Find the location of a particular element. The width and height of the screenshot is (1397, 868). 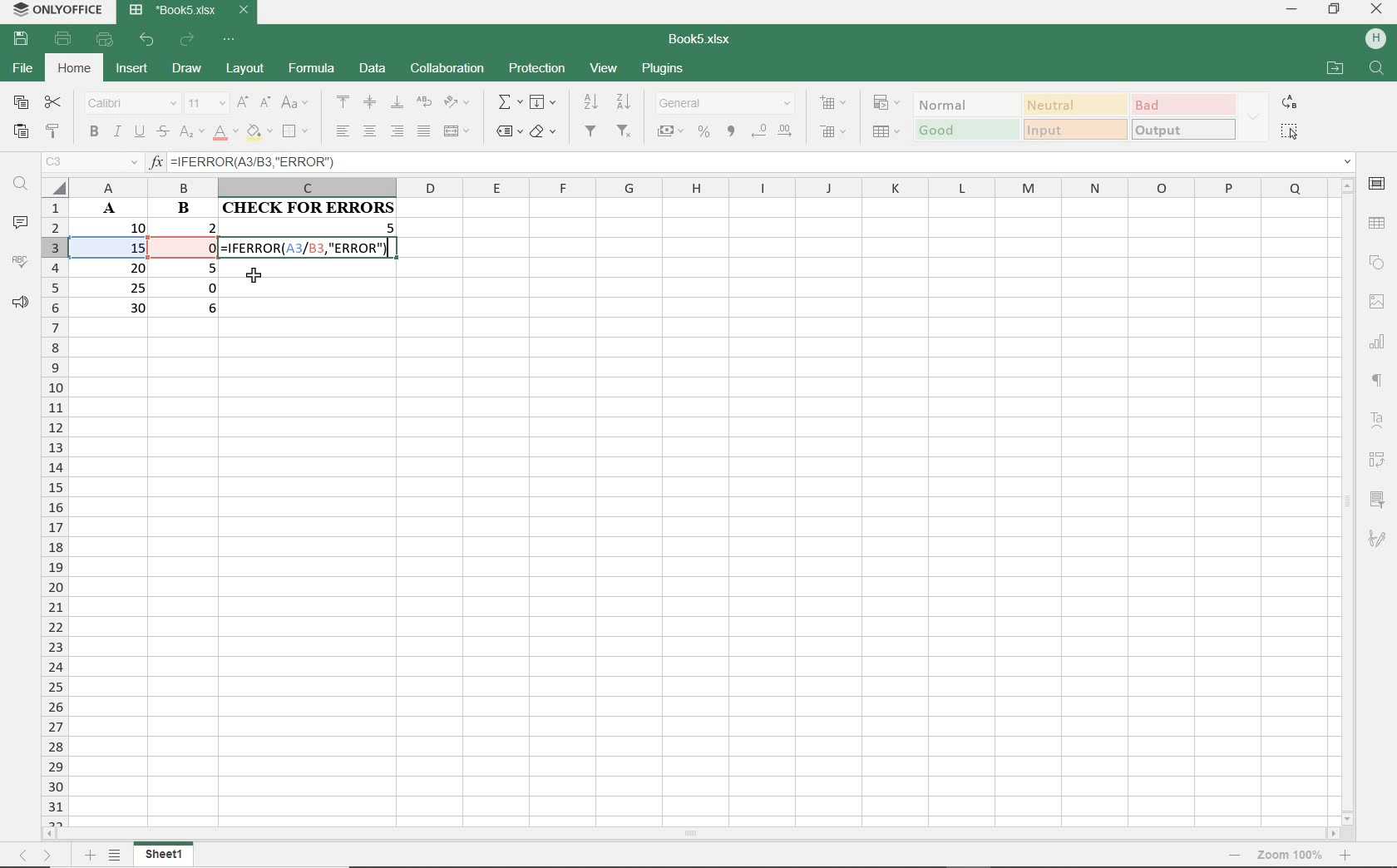

CHANGE DECIMAL is located at coordinates (774, 133).